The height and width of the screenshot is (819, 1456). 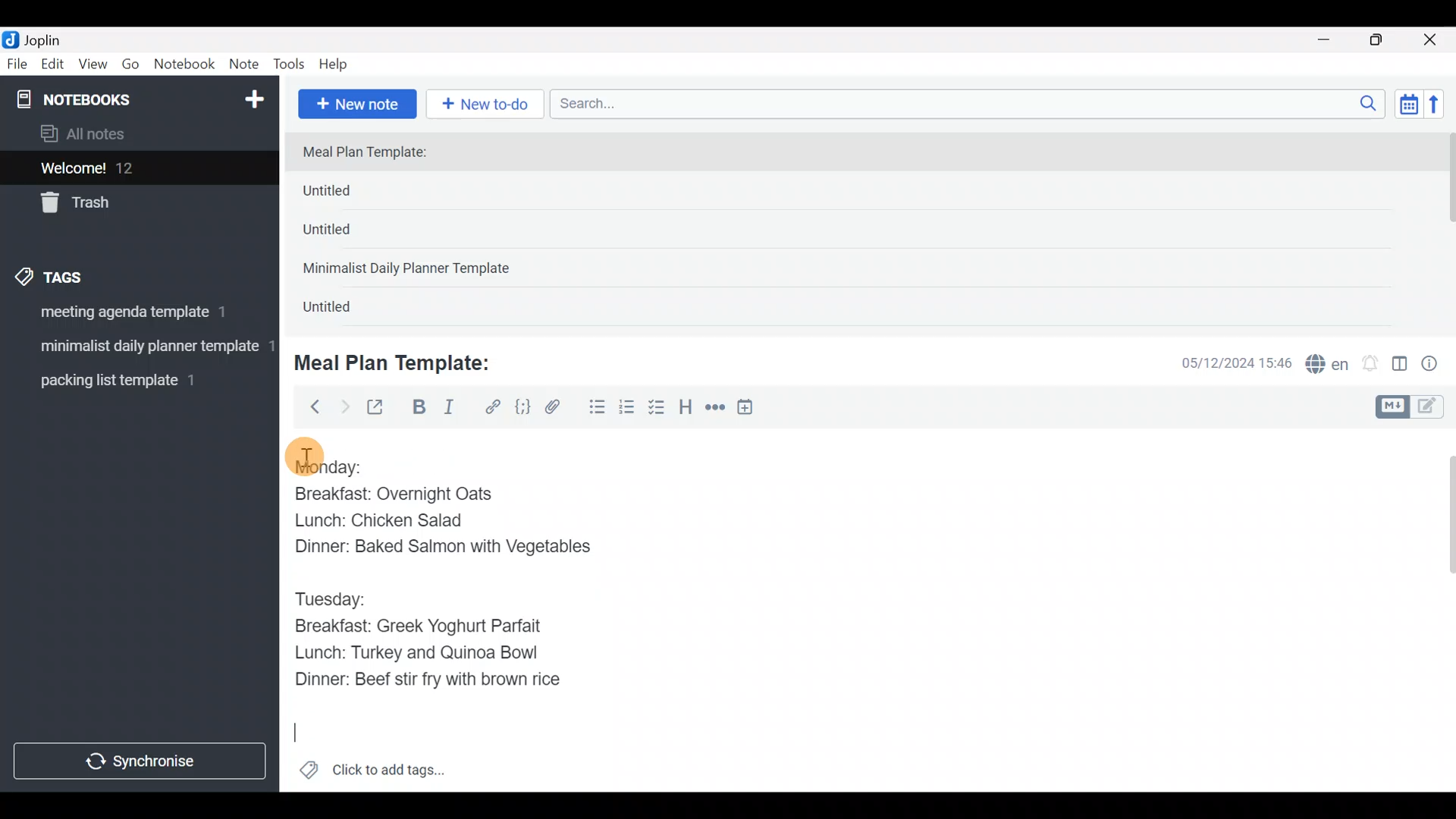 What do you see at coordinates (185, 64) in the screenshot?
I see `Notebook` at bounding box center [185, 64].